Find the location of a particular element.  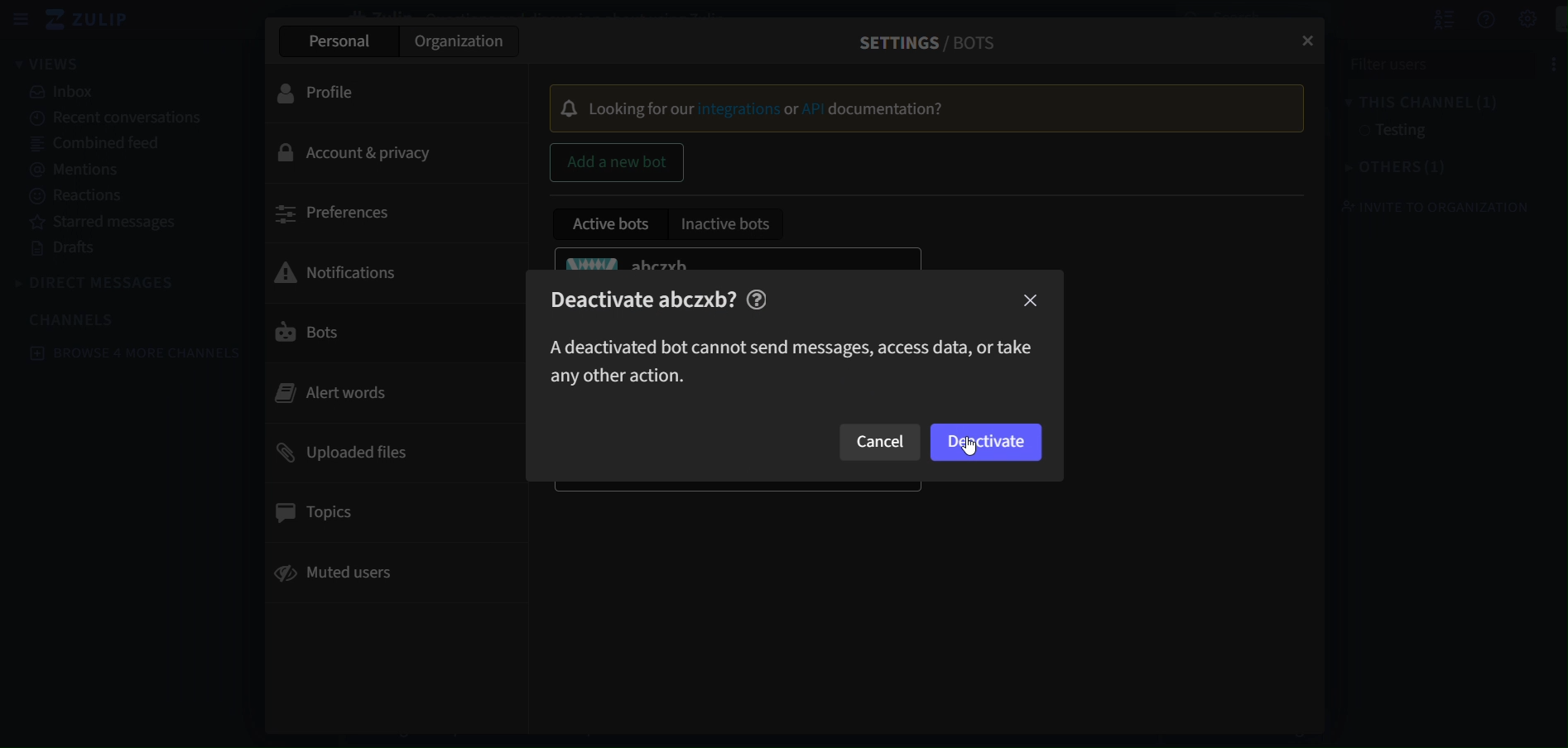

reactions is located at coordinates (79, 196).